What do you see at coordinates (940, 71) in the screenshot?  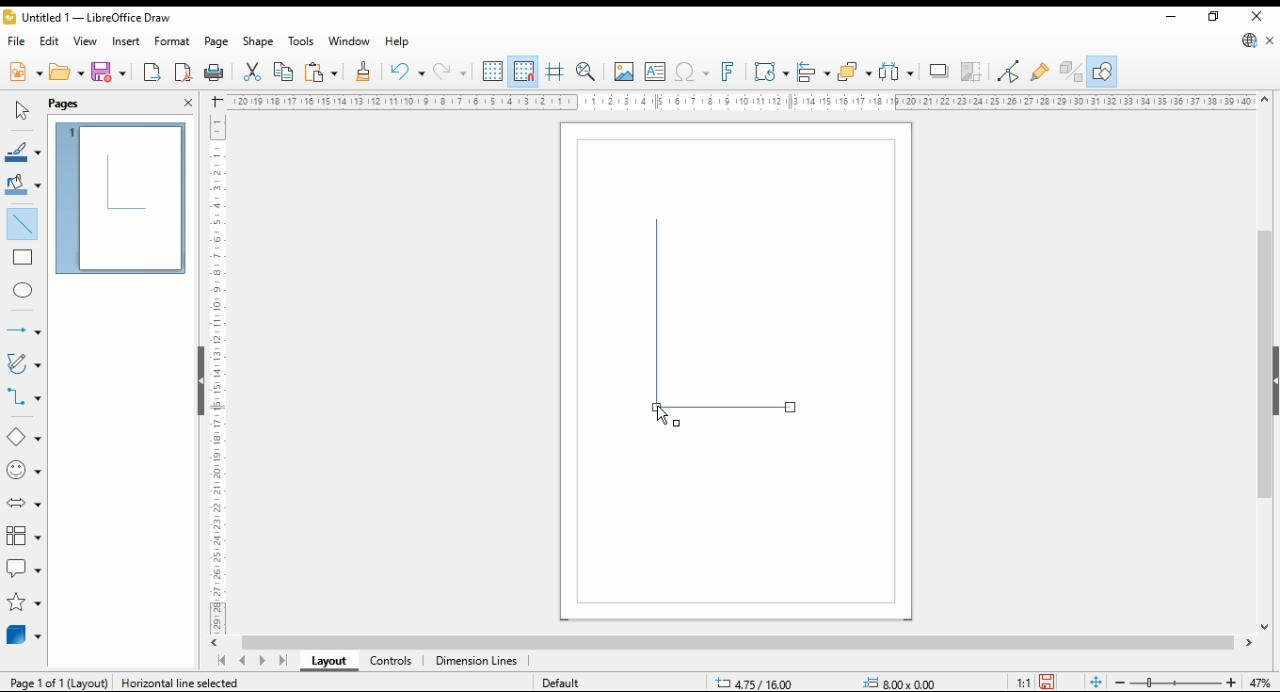 I see `shadow` at bounding box center [940, 71].